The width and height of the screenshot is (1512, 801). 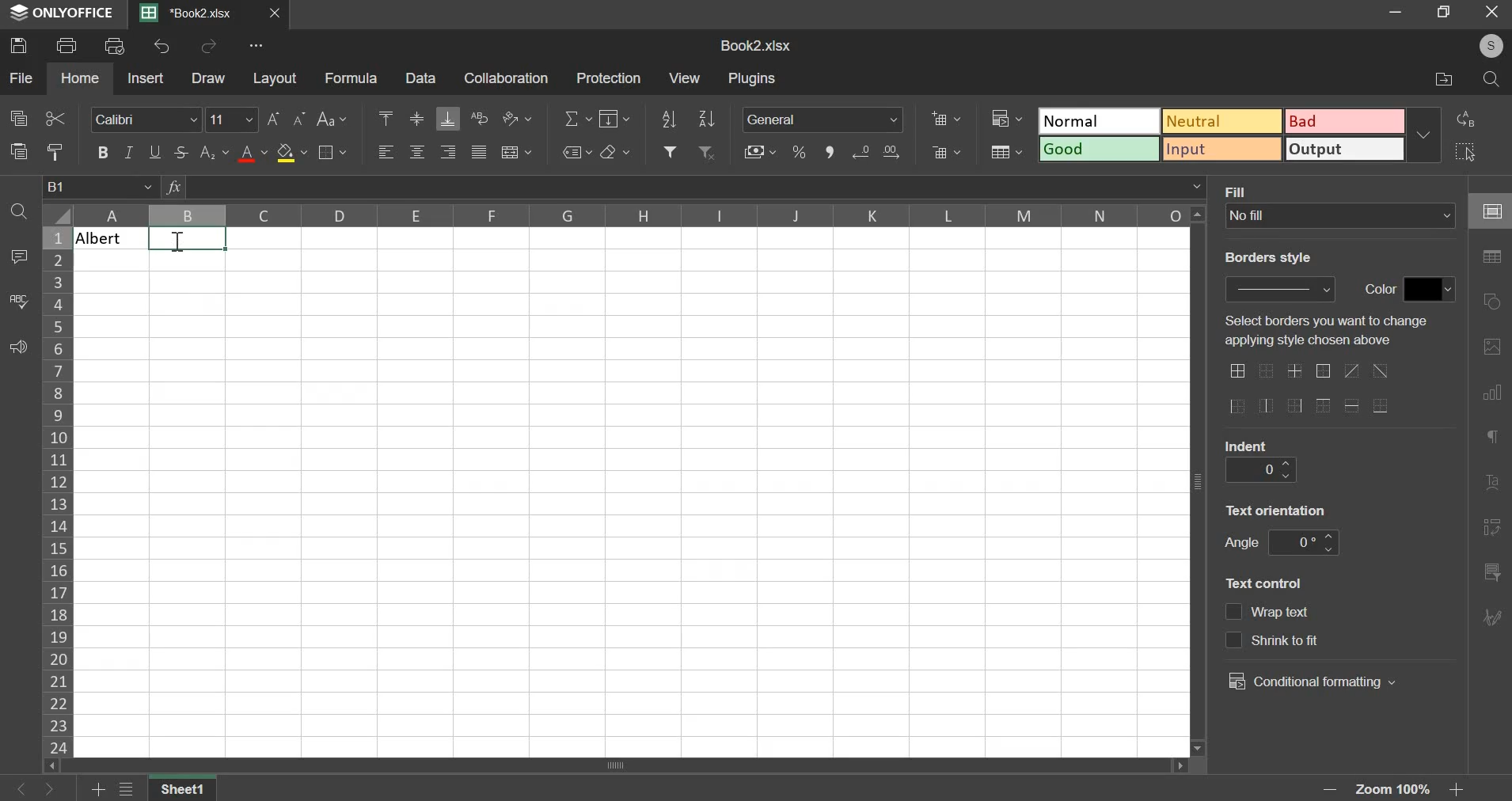 What do you see at coordinates (1489, 210) in the screenshot?
I see `cell settings` at bounding box center [1489, 210].